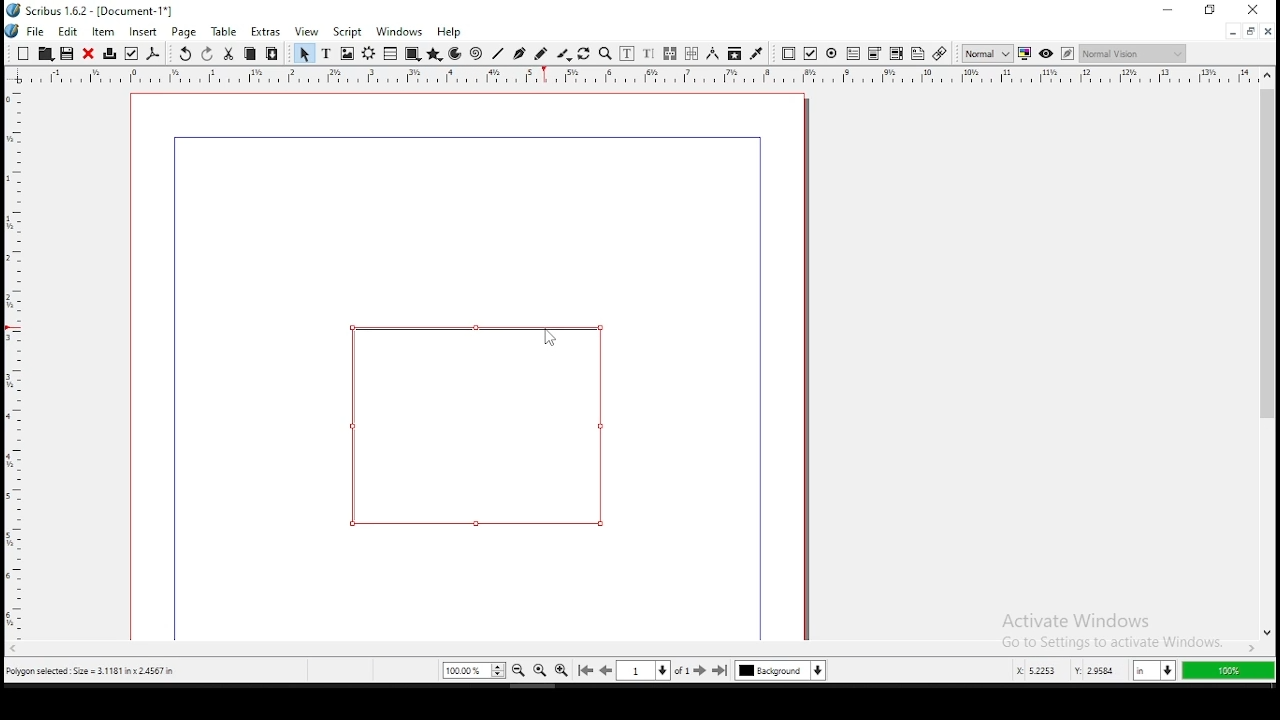  What do you see at coordinates (804, 368) in the screenshot?
I see `scrollbar` at bounding box center [804, 368].